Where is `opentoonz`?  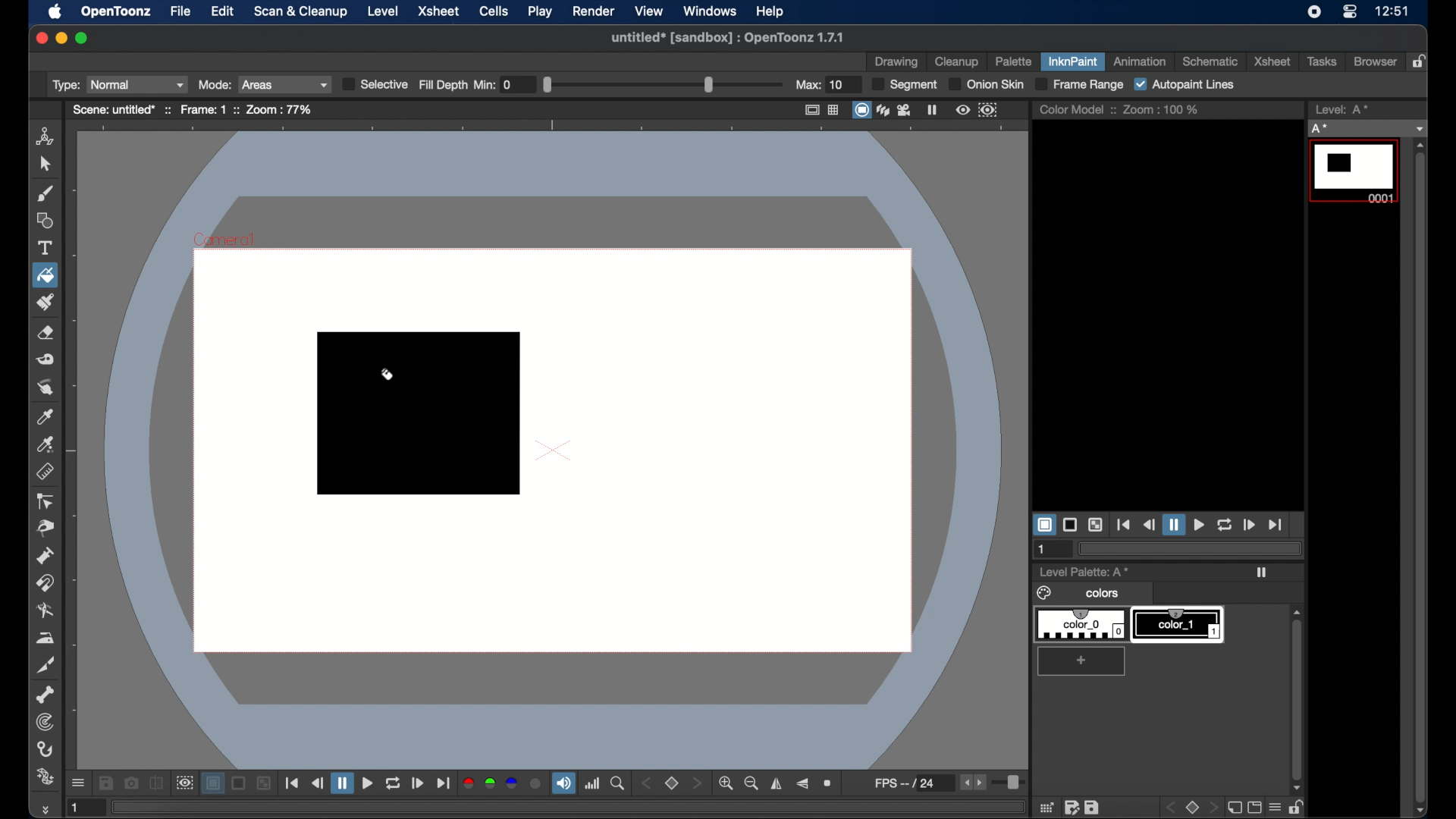 opentoonz is located at coordinates (117, 12).